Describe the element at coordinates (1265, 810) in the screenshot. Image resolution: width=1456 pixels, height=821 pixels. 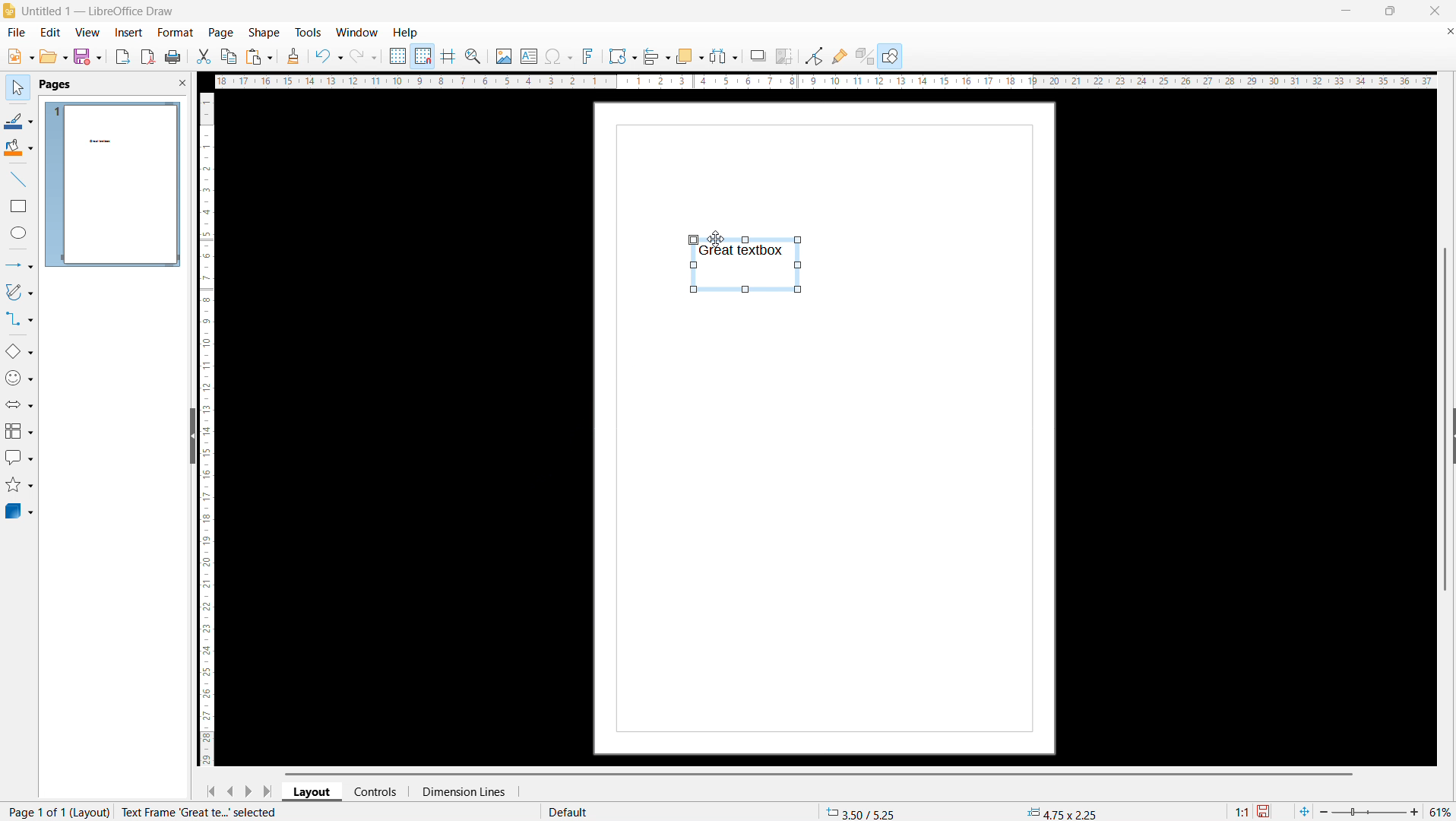
I see `save ` at that location.